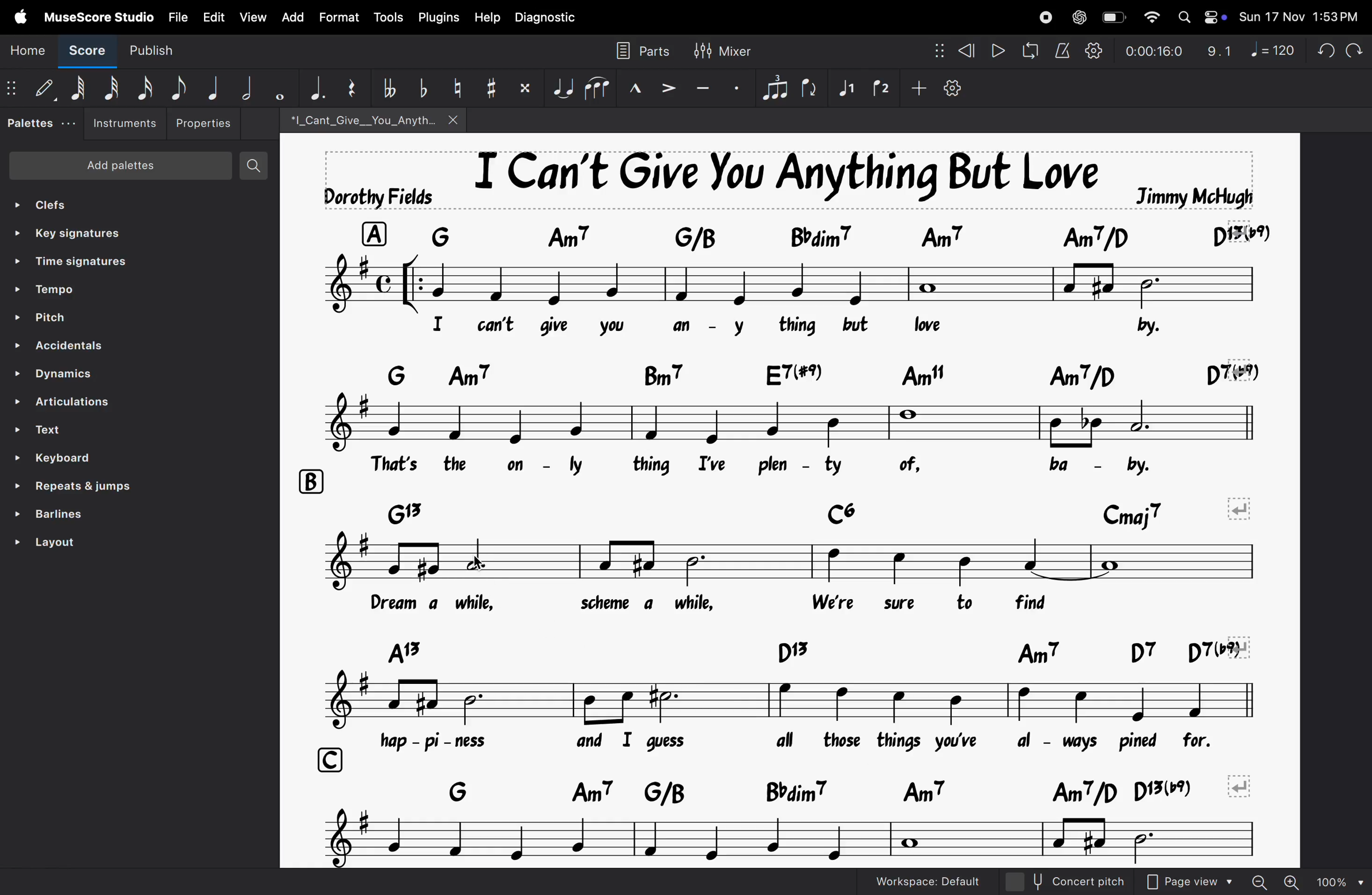 This screenshot has width=1372, height=895. Describe the element at coordinates (437, 17) in the screenshot. I see `plugins` at that location.